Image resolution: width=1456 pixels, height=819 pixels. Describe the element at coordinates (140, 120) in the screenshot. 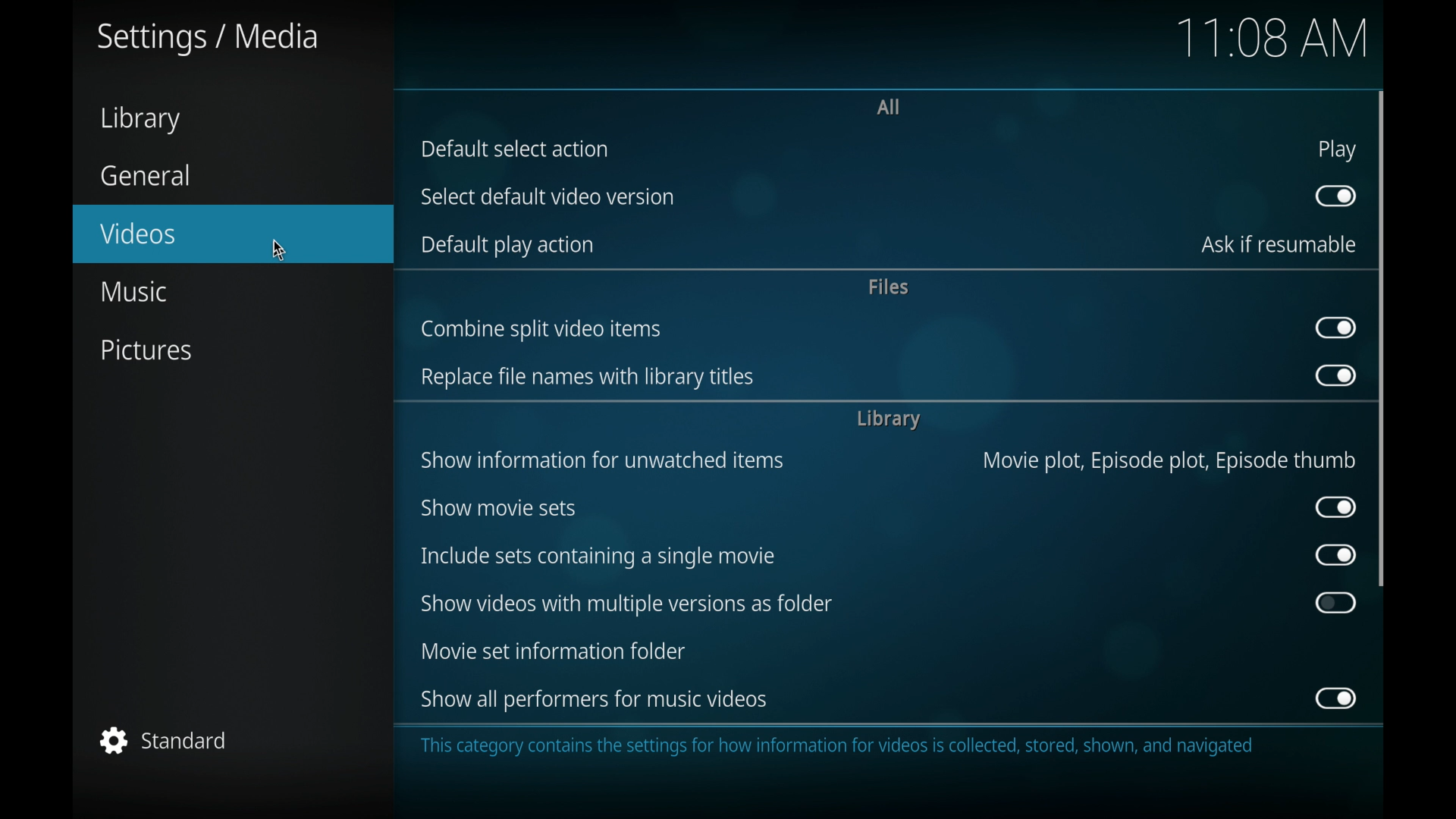

I see `library` at that location.